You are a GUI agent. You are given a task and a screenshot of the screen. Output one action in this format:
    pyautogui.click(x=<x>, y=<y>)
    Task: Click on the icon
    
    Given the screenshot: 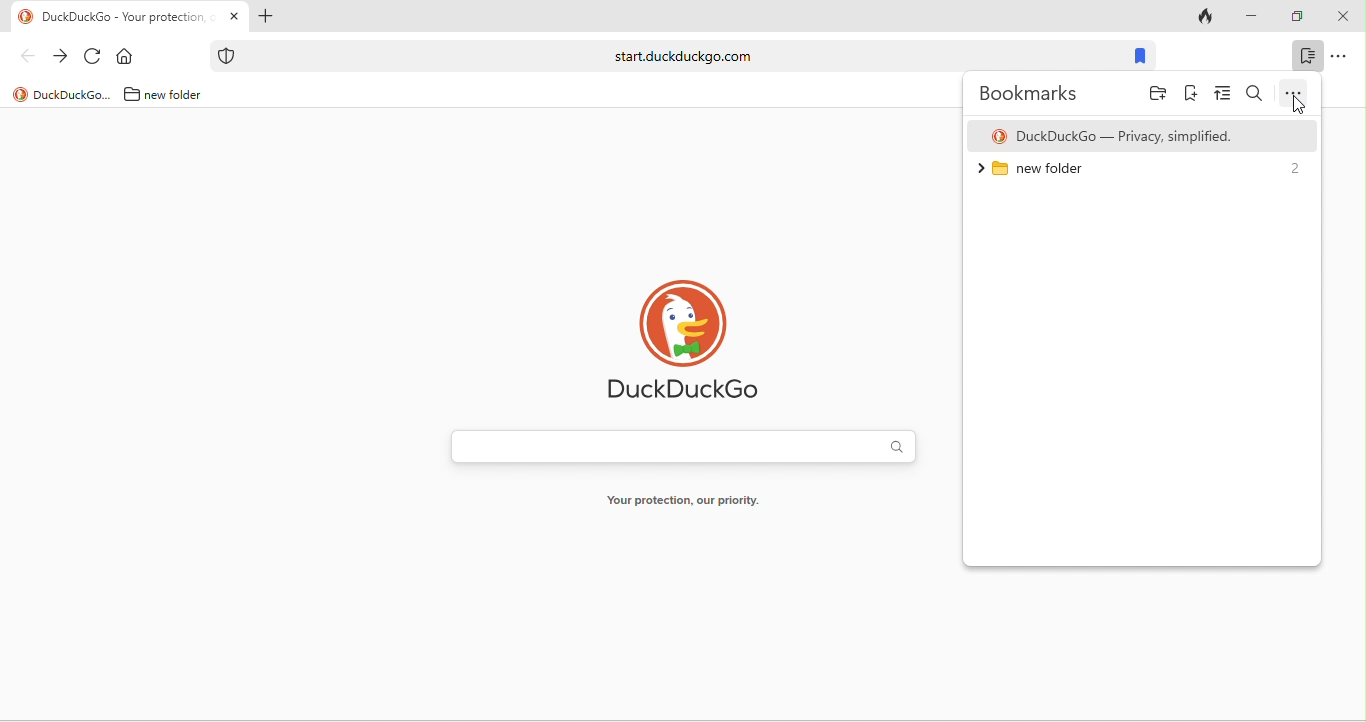 What is the action you would take?
    pyautogui.click(x=26, y=17)
    